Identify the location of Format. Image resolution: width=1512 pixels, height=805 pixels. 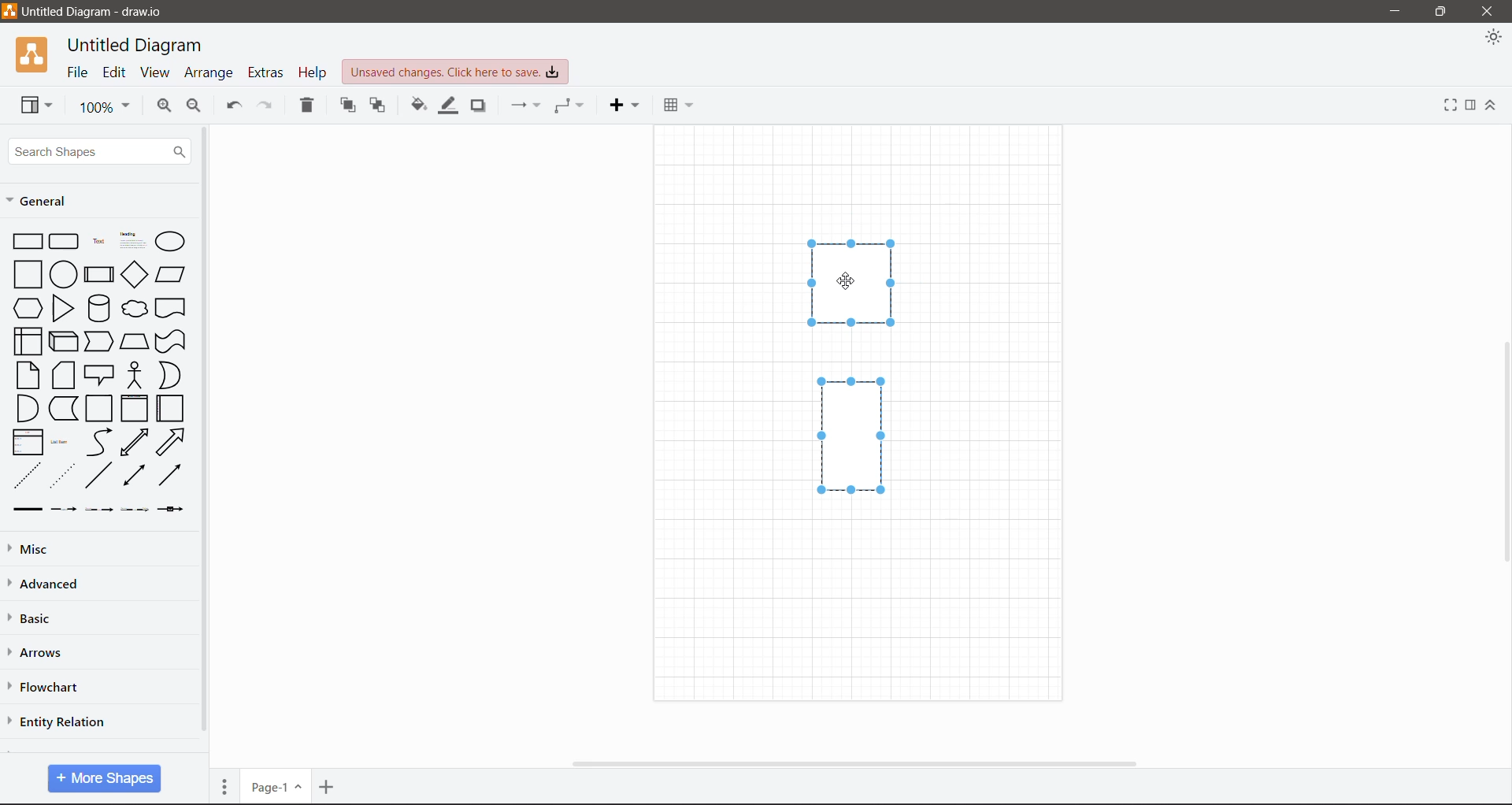
(1471, 106).